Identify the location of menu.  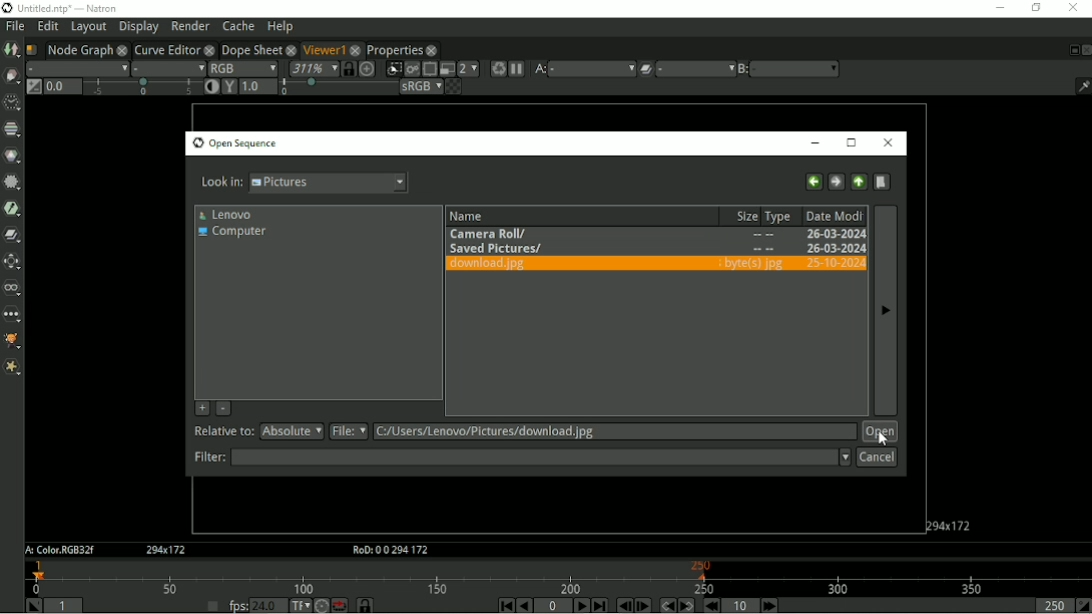
(695, 69).